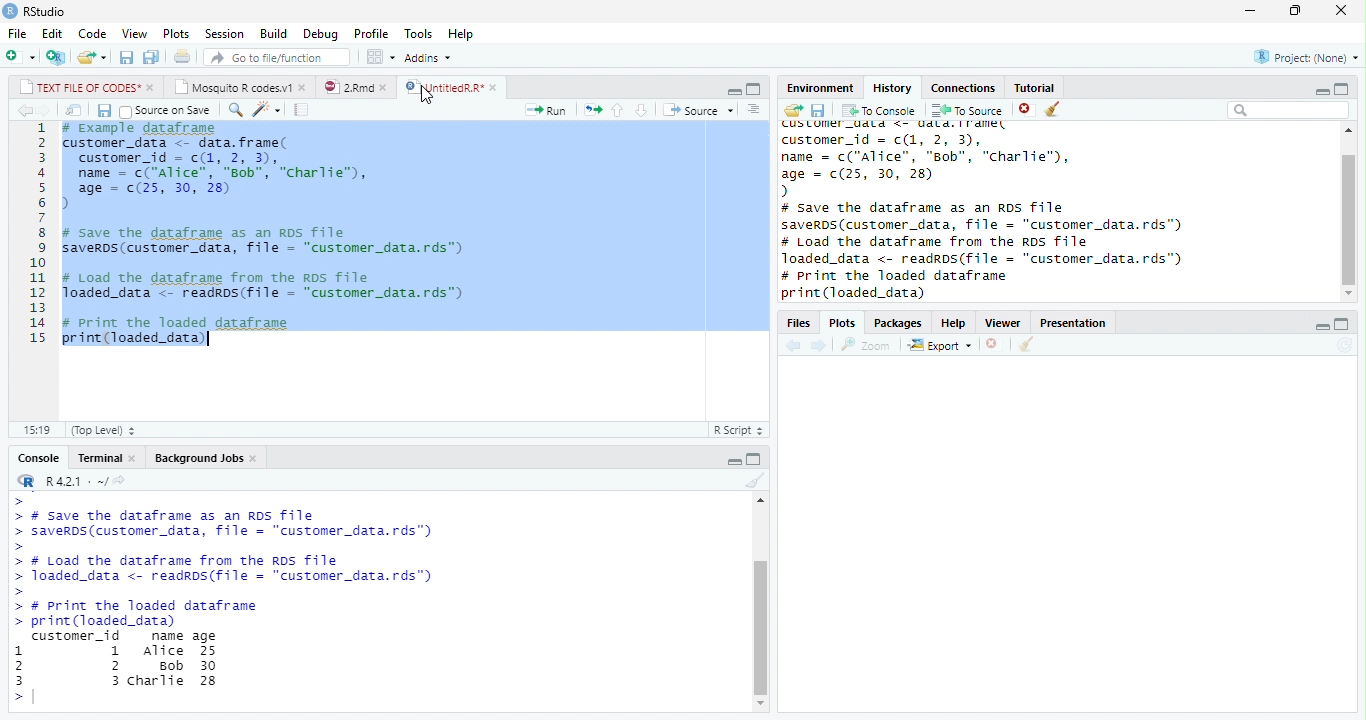 This screenshot has height=720, width=1366. What do you see at coordinates (1342, 323) in the screenshot?
I see `maximize` at bounding box center [1342, 323].